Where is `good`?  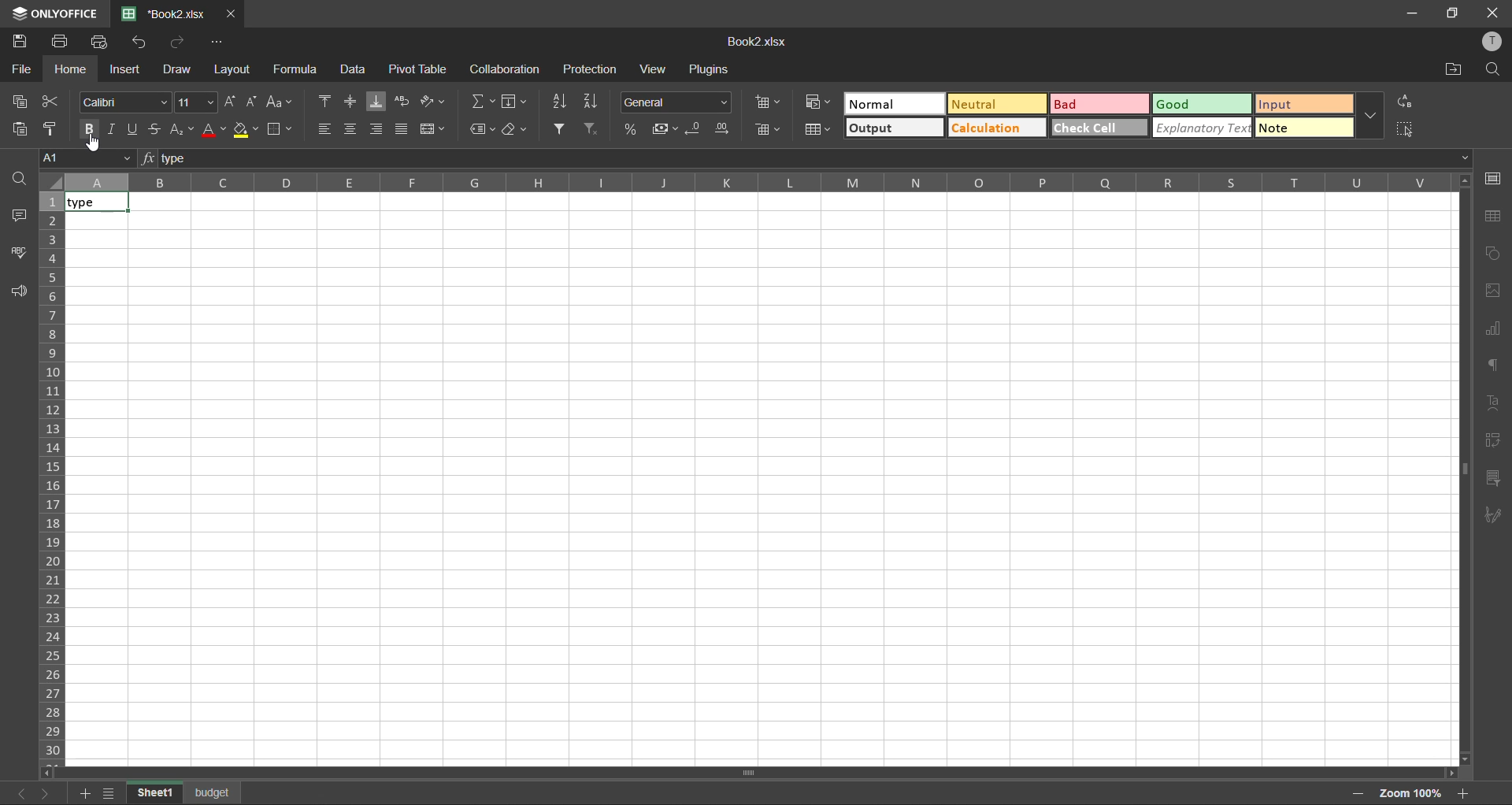
good is located at coordinates (1204, 106).